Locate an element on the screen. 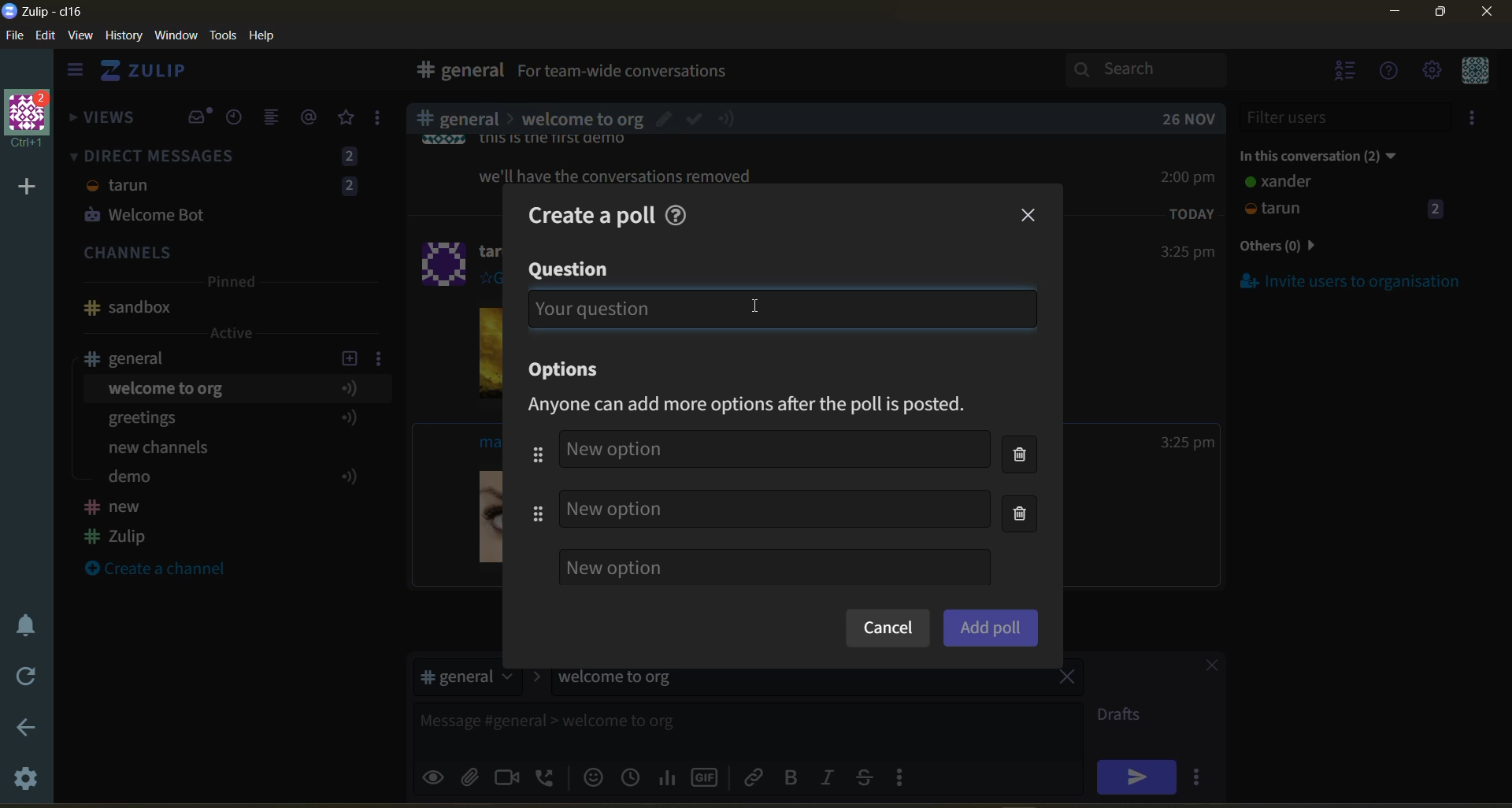  recent conversations is located at coordinates (239, 119).